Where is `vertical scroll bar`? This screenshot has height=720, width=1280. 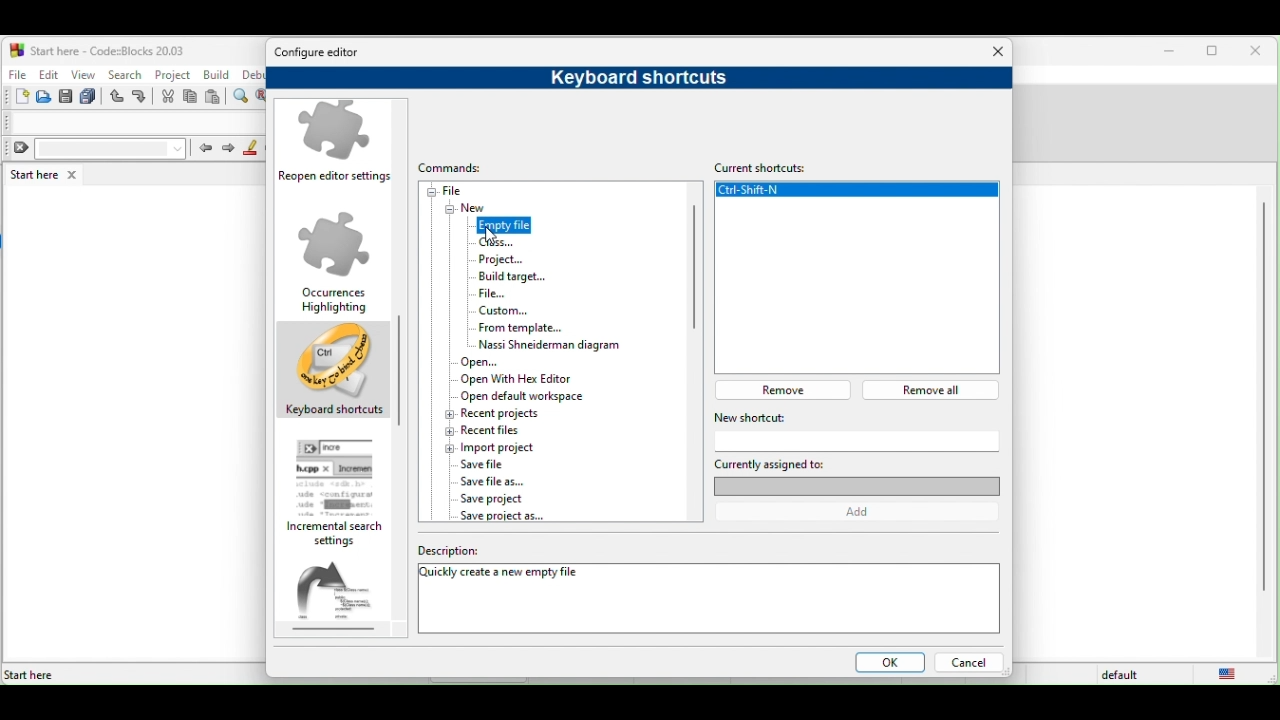 vertical scroll bar is located at coordinates (693, 273).